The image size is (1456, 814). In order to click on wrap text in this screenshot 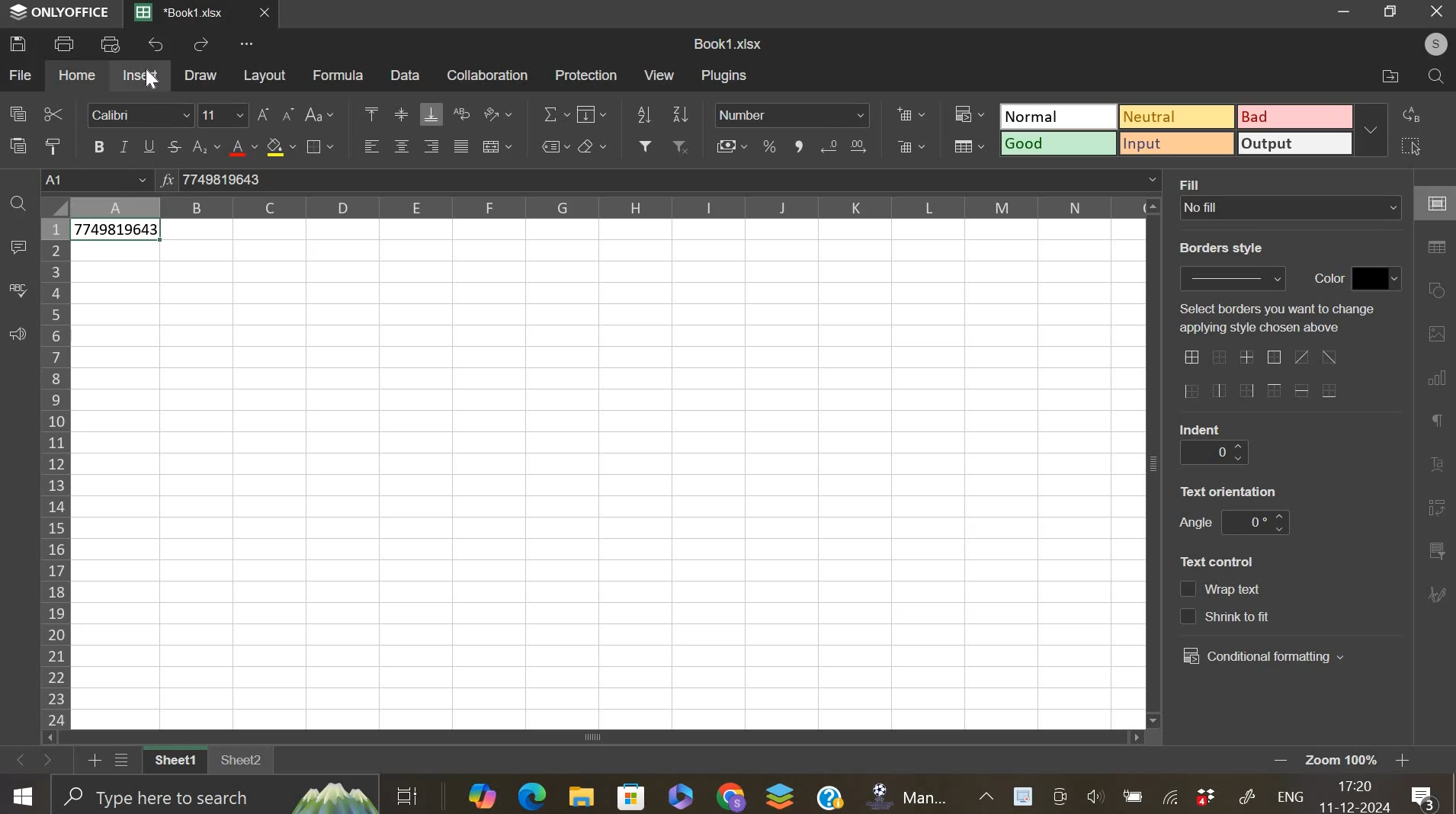, I will do `click(461, 114)`.